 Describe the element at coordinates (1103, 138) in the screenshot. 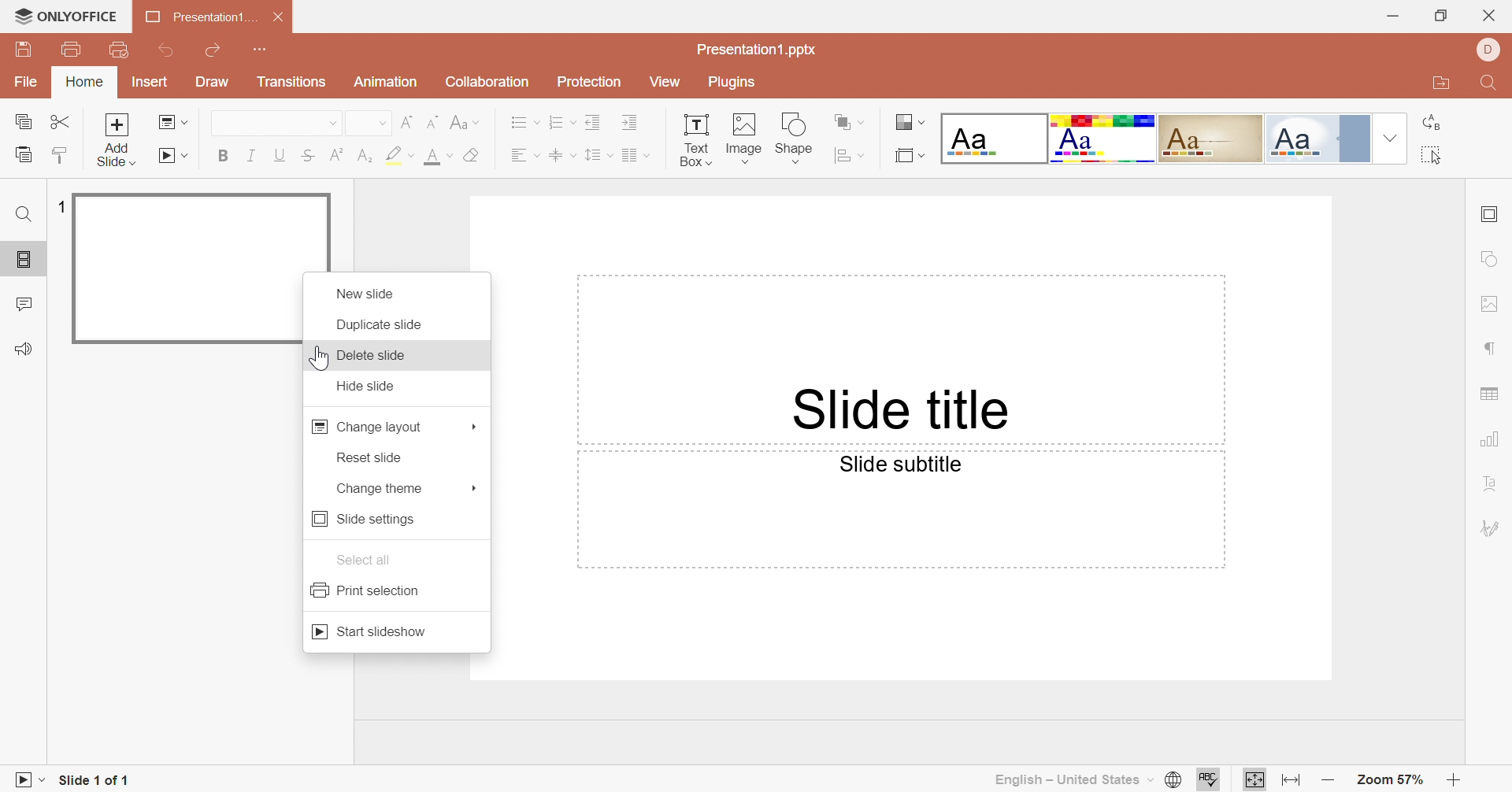

I see `Basic` at that location.